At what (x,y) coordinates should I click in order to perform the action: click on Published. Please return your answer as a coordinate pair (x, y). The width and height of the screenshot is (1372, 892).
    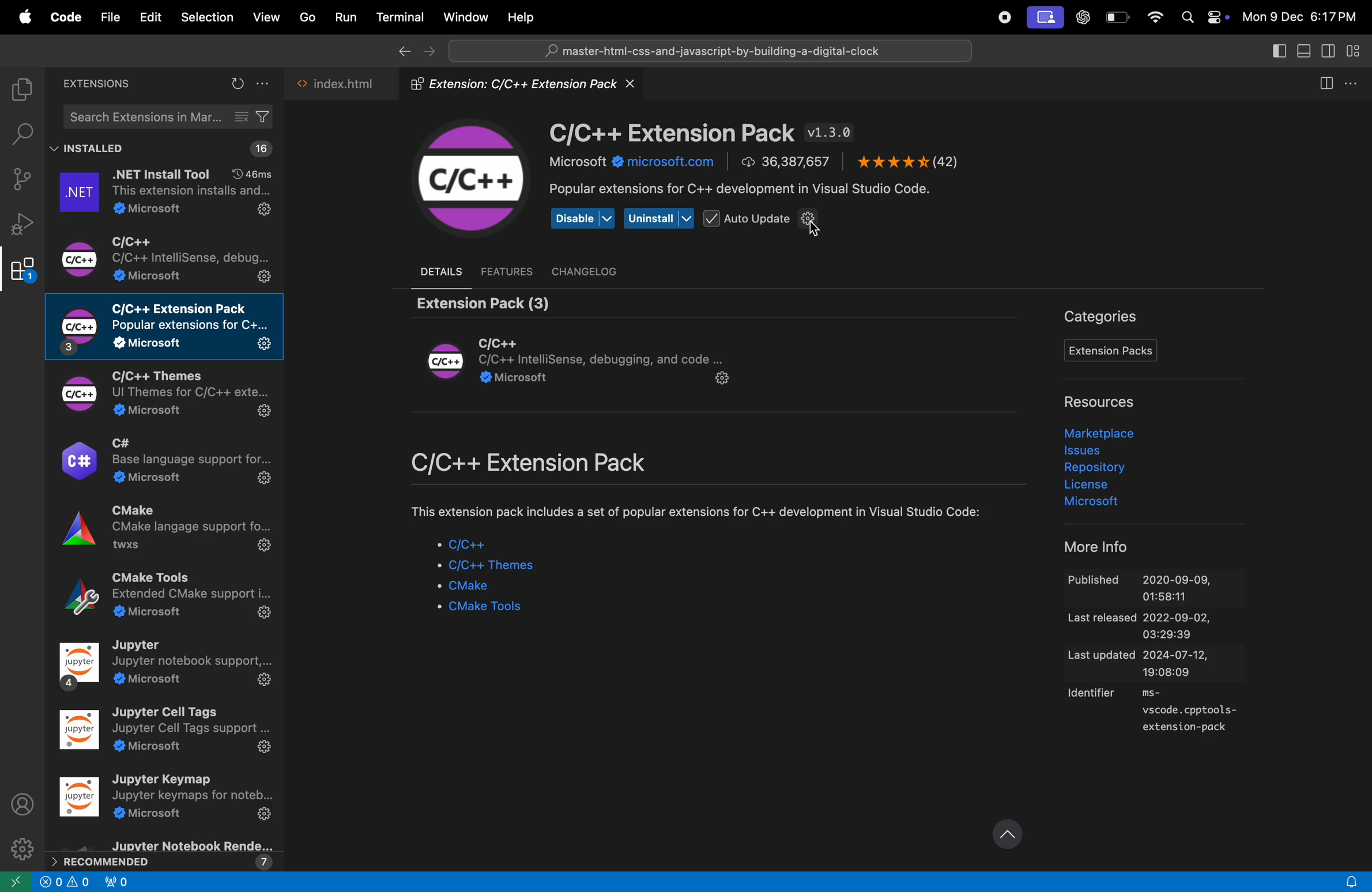
    Looking at the image, I should click on (1159, 587).